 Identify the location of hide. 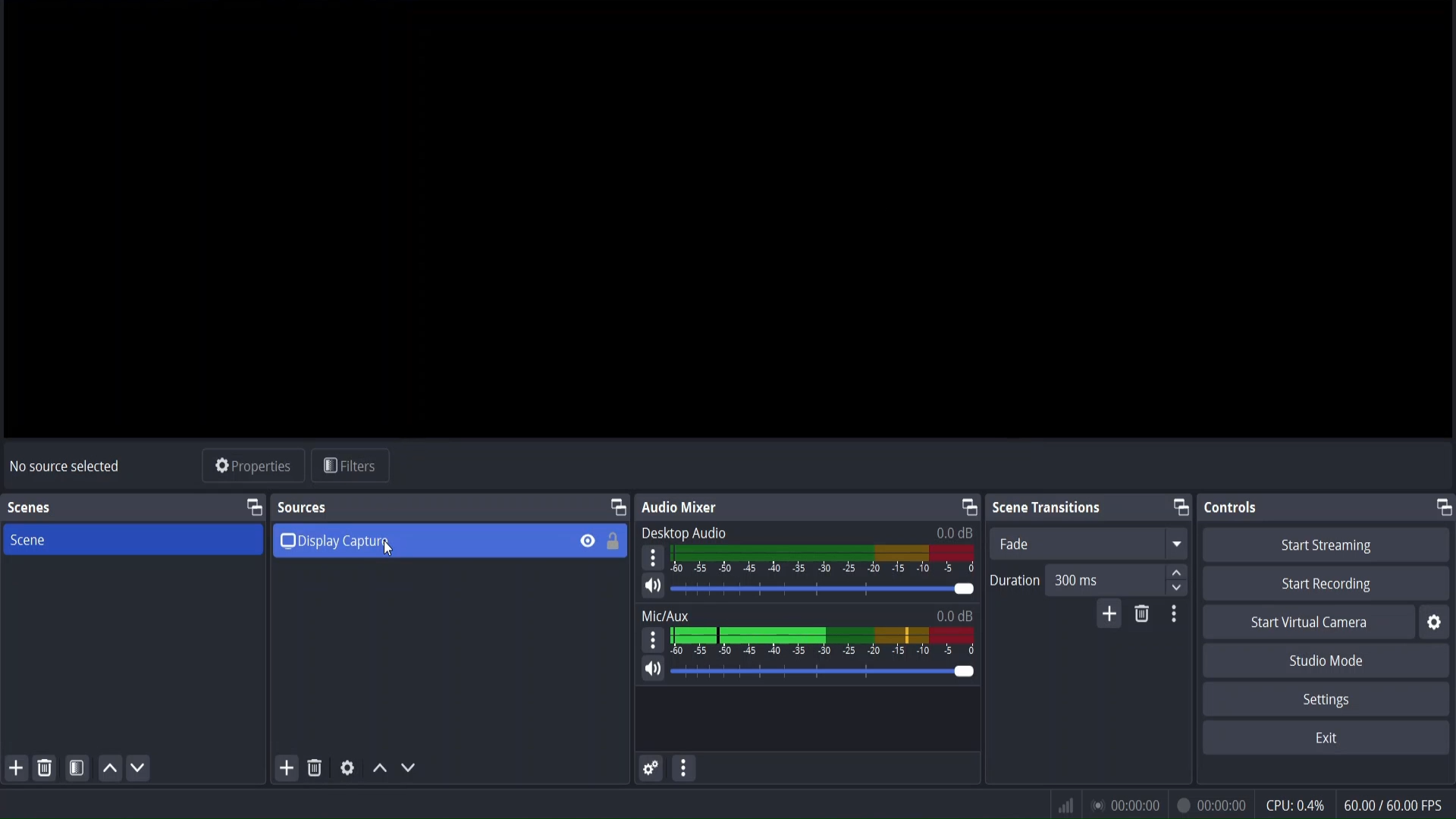
(588, 541).